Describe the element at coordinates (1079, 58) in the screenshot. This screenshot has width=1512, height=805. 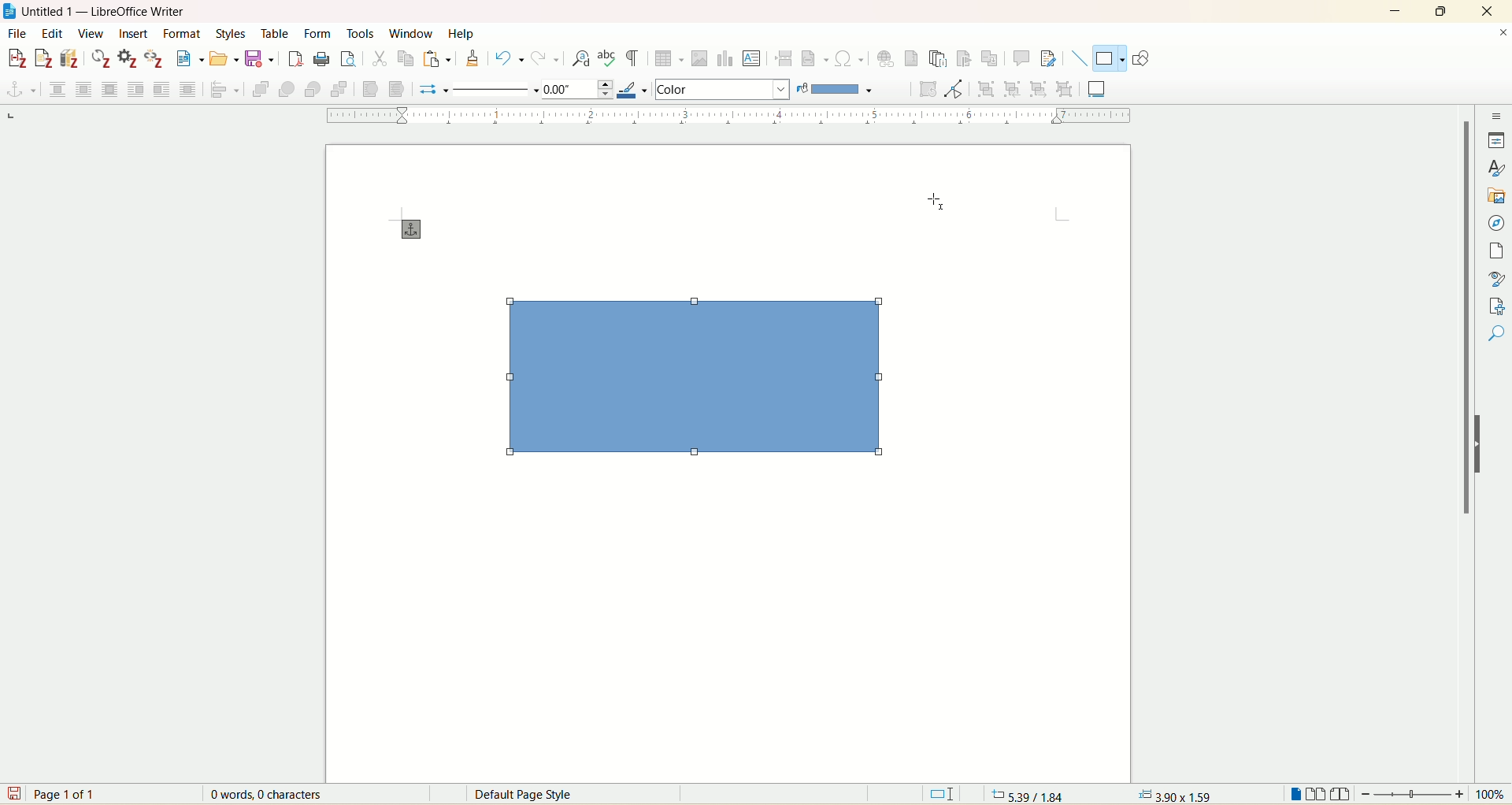
I see `insert line` at that location.